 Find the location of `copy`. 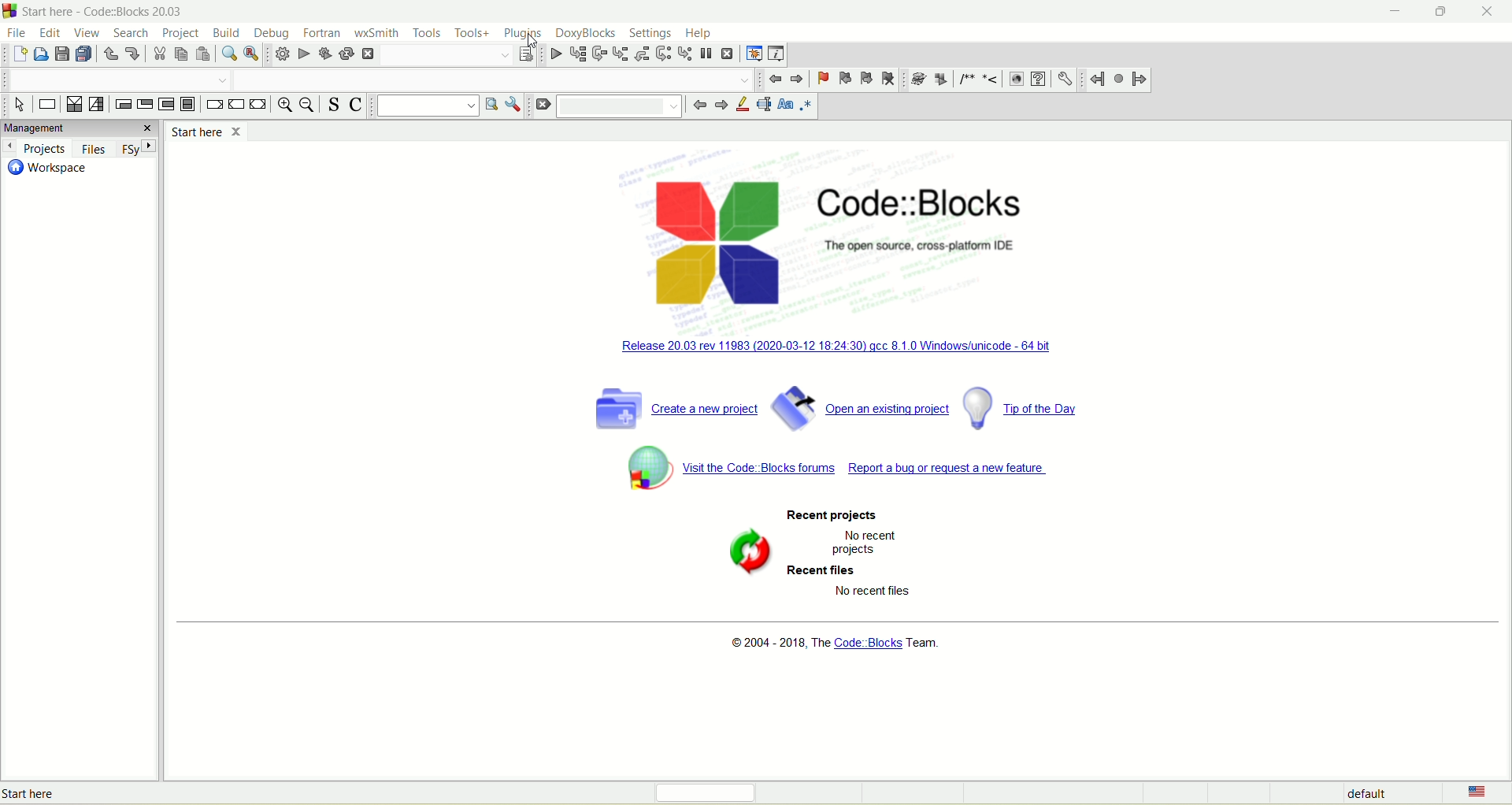

copy is located at coordinates (180, 54).